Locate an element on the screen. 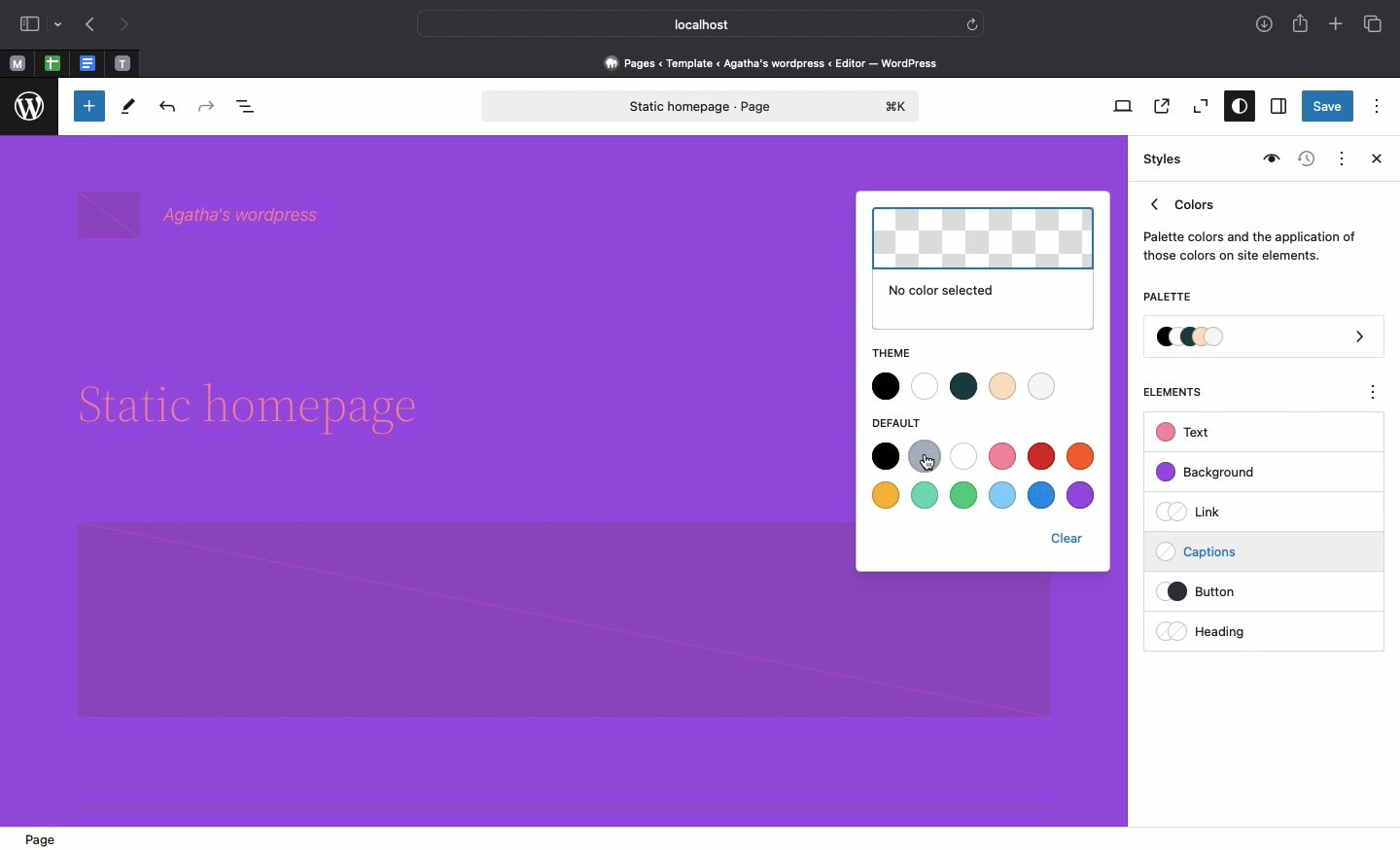 Image resolution: width=1400 pixels, height=850 pixels. Next page is located at coordinates (124, 25).